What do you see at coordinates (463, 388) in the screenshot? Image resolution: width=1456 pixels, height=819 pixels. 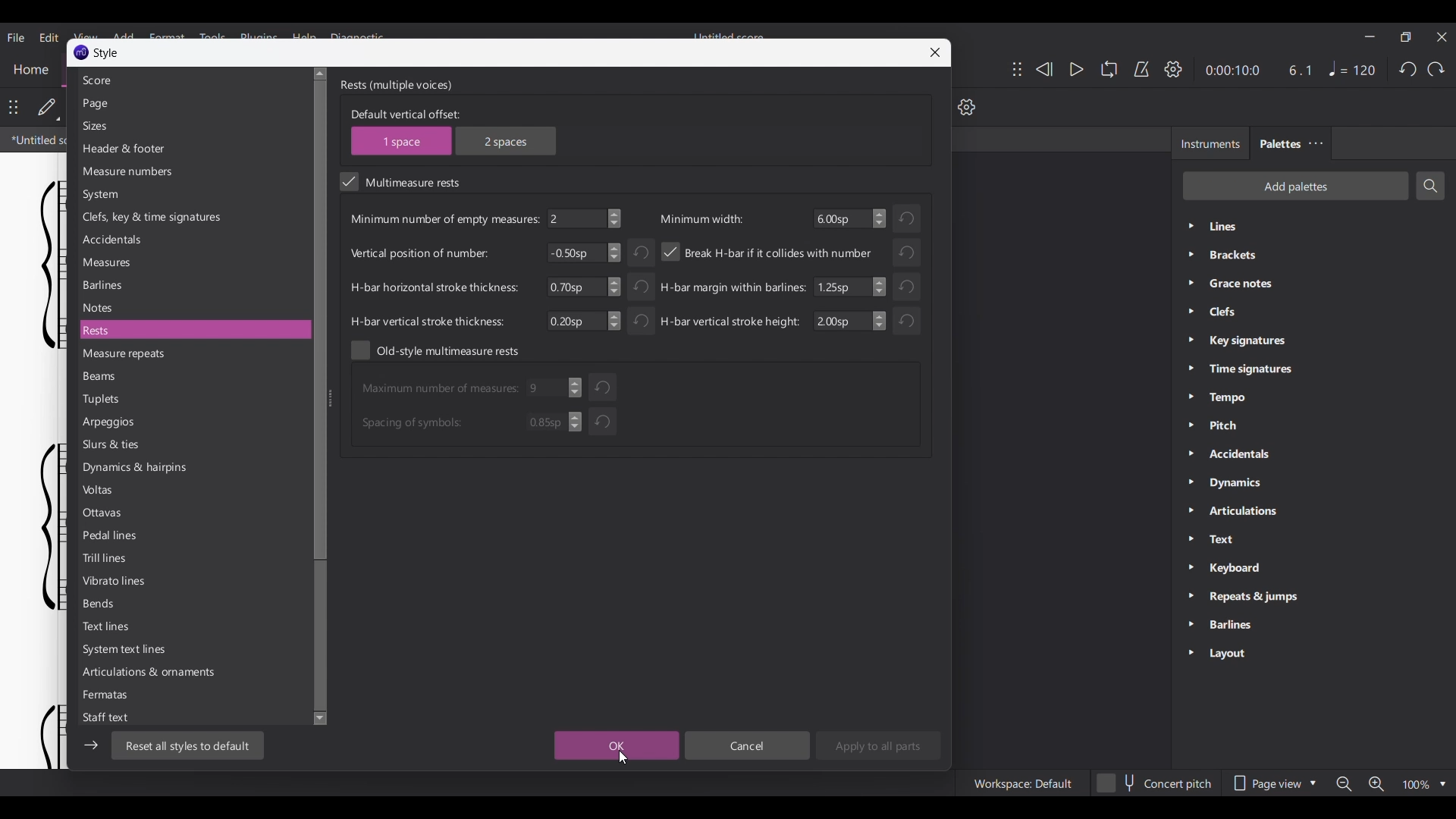 I see `Input max. number of measures` at bounding box center [463, 388].